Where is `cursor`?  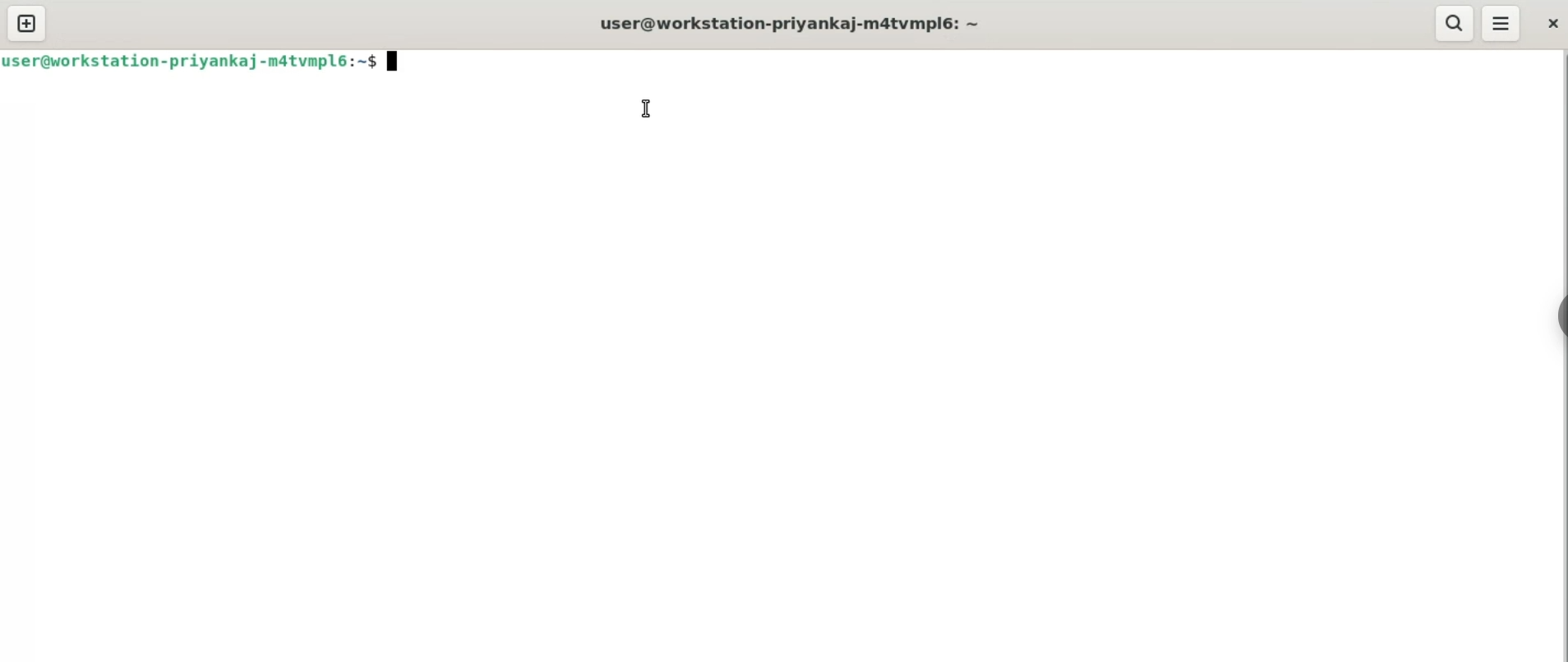
cursor is located at coordinates (645, 104).